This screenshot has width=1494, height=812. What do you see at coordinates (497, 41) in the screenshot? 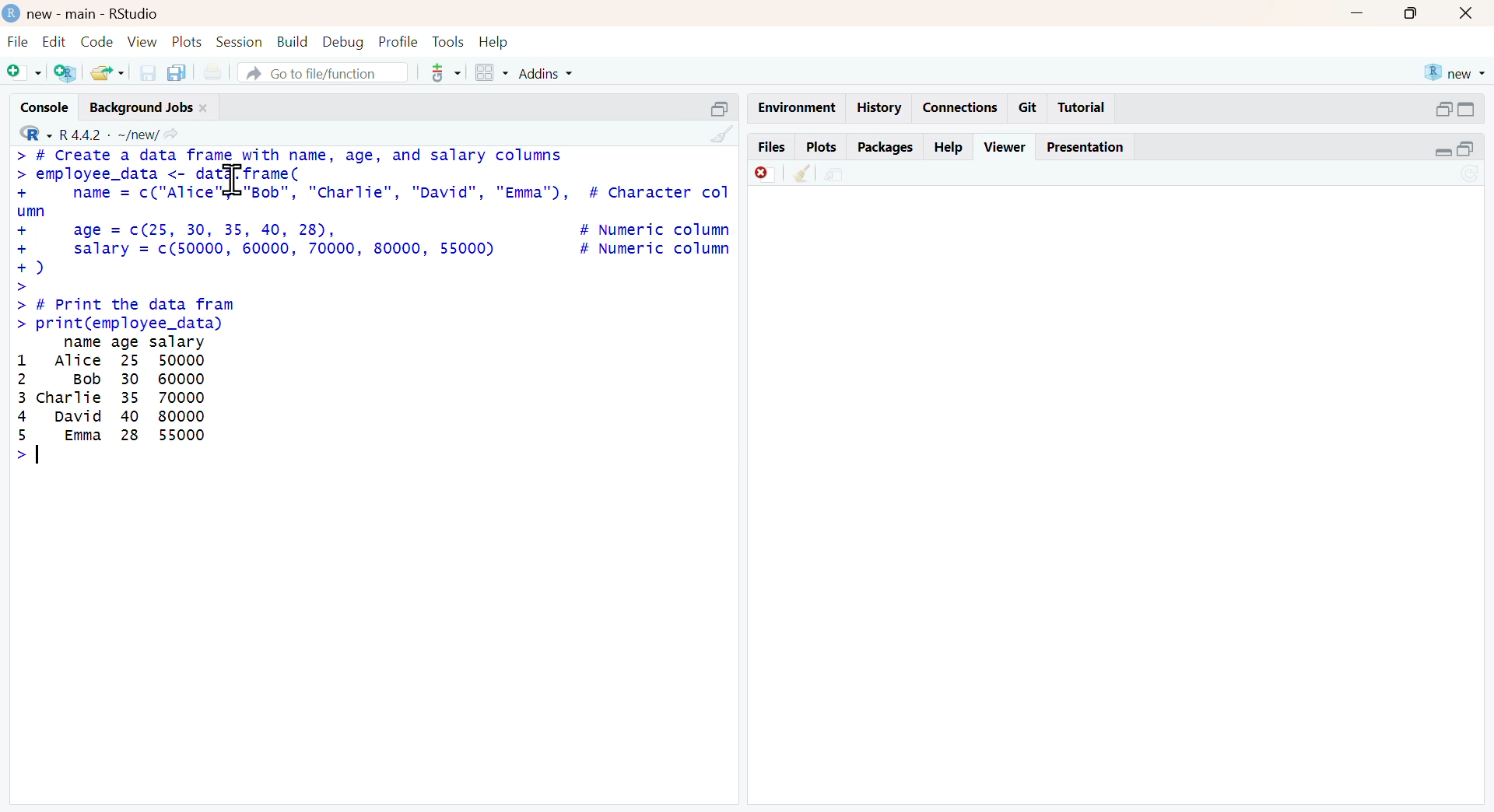
I see `Help` at bounding box center [497, 41].